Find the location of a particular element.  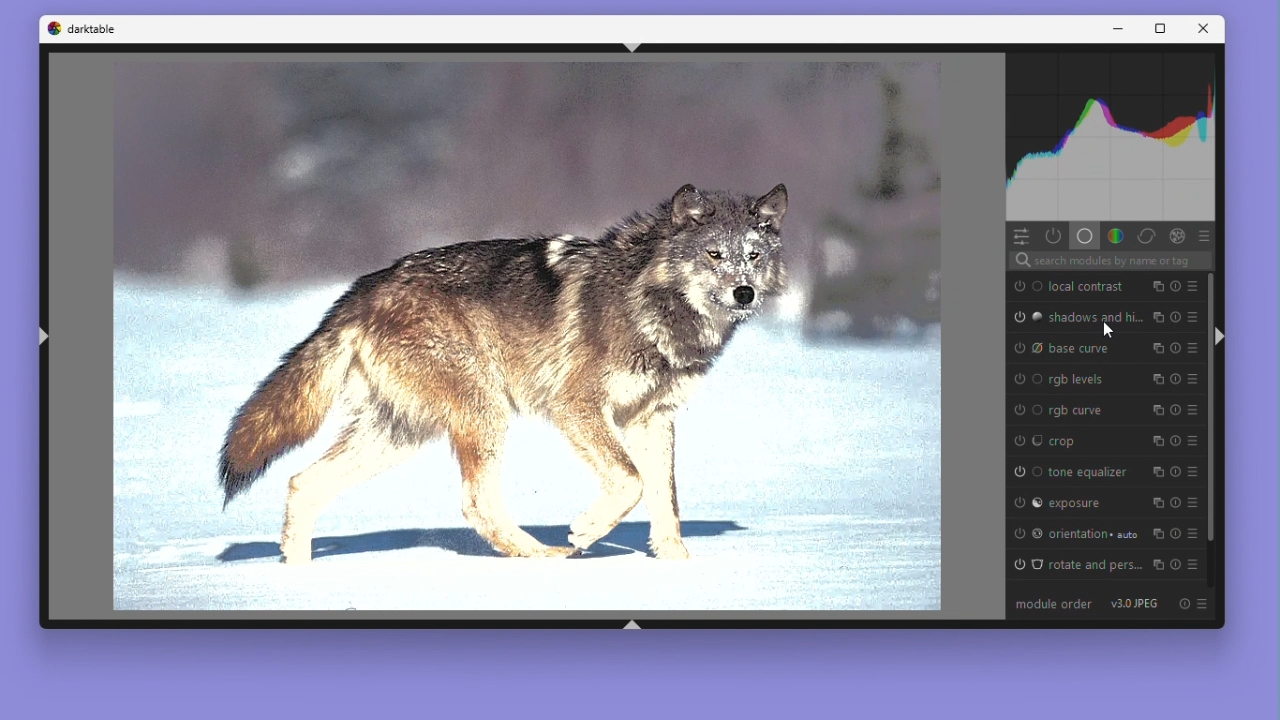

'Local contrast' is switched on is located at coordinates (1024, 285).